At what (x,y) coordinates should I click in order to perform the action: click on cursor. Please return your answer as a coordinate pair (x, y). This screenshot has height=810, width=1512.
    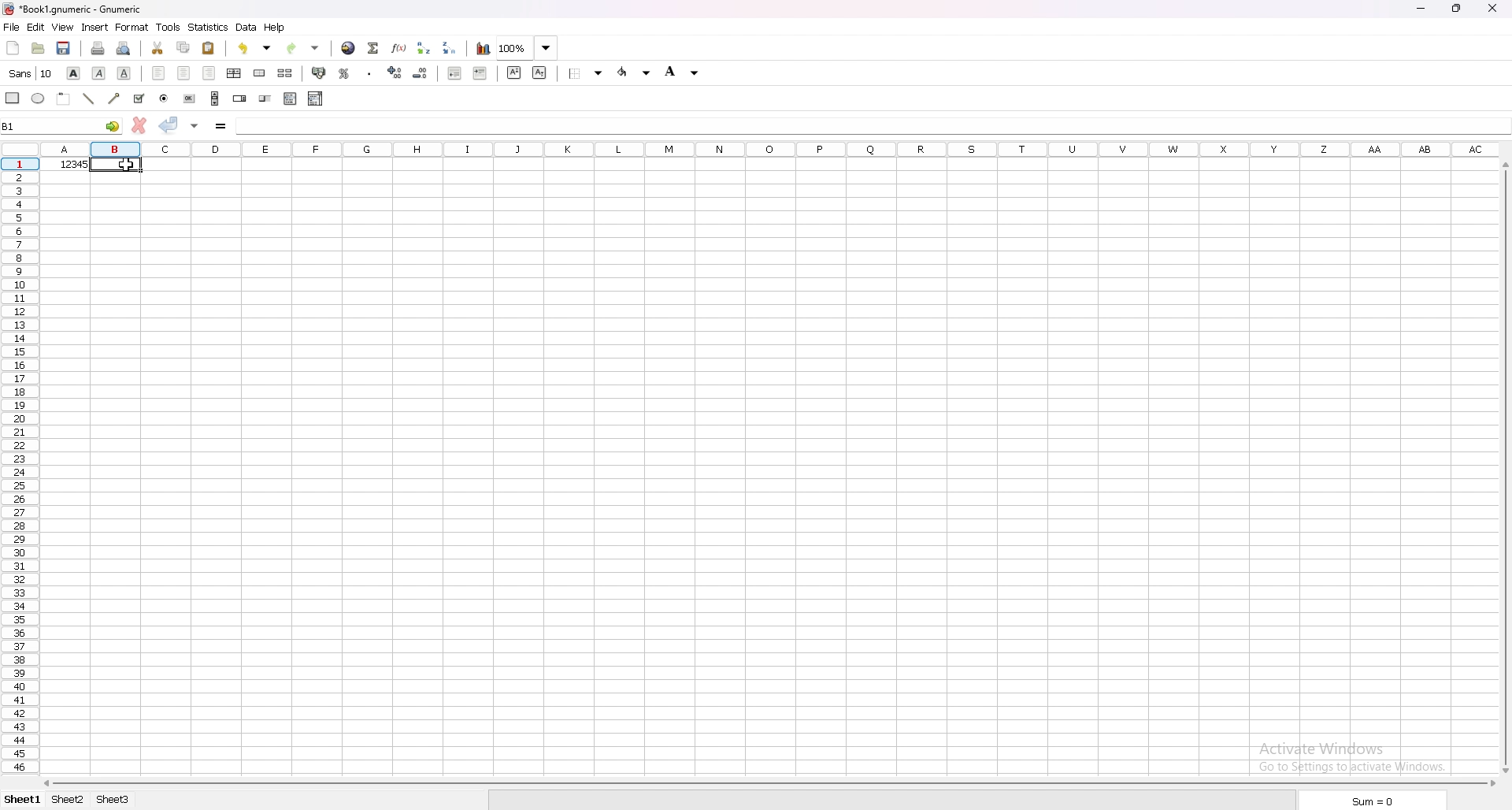
    Looking at the image, I should click on (132, 165).